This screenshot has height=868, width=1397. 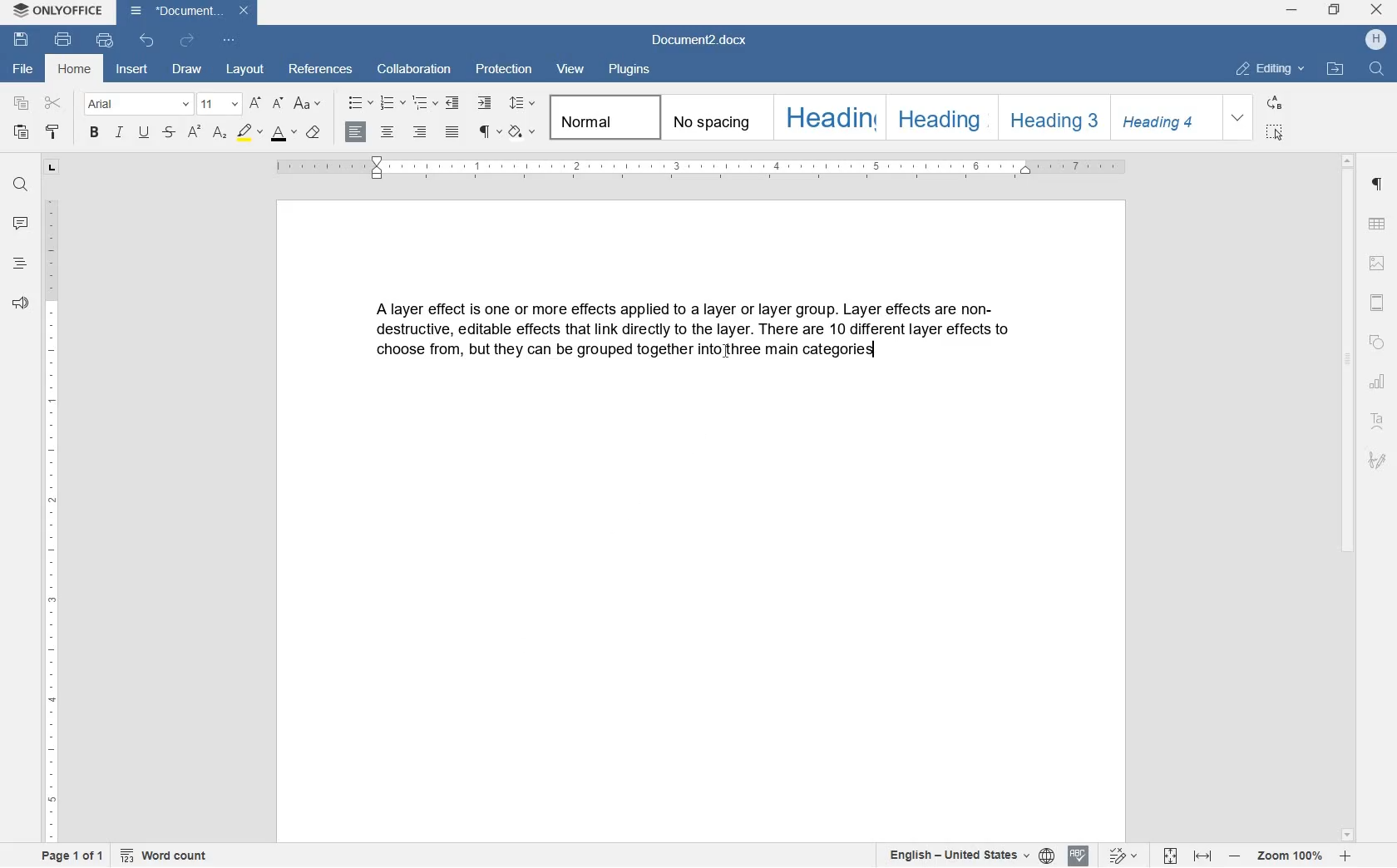 What do you see at coordinates (279, 104) in the screenshot?
I see `decrement font size` at bounding box center [279, 104].